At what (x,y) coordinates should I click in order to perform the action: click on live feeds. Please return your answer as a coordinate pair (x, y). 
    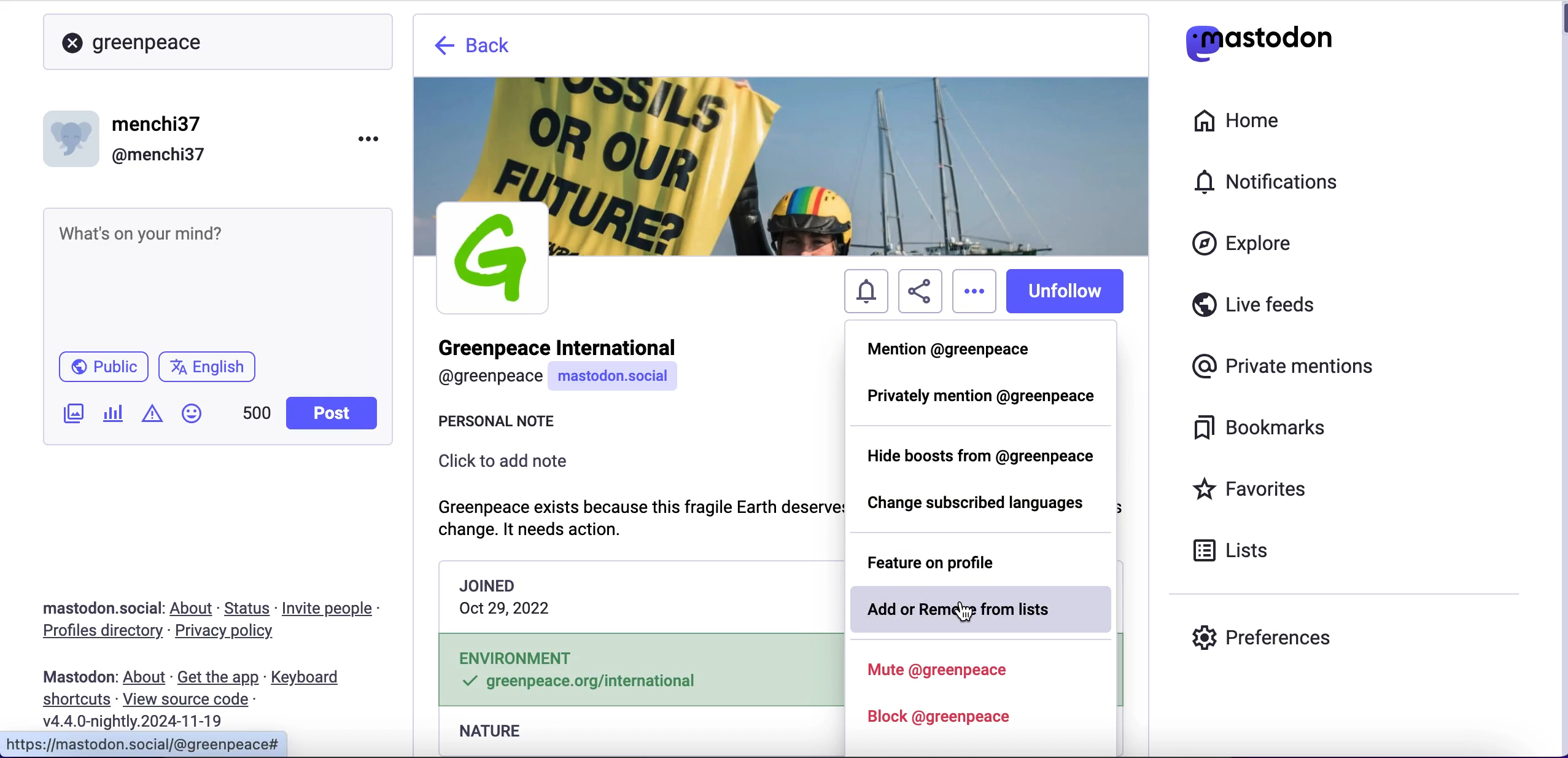
    Looking at the image, I should click on (1254, 309).